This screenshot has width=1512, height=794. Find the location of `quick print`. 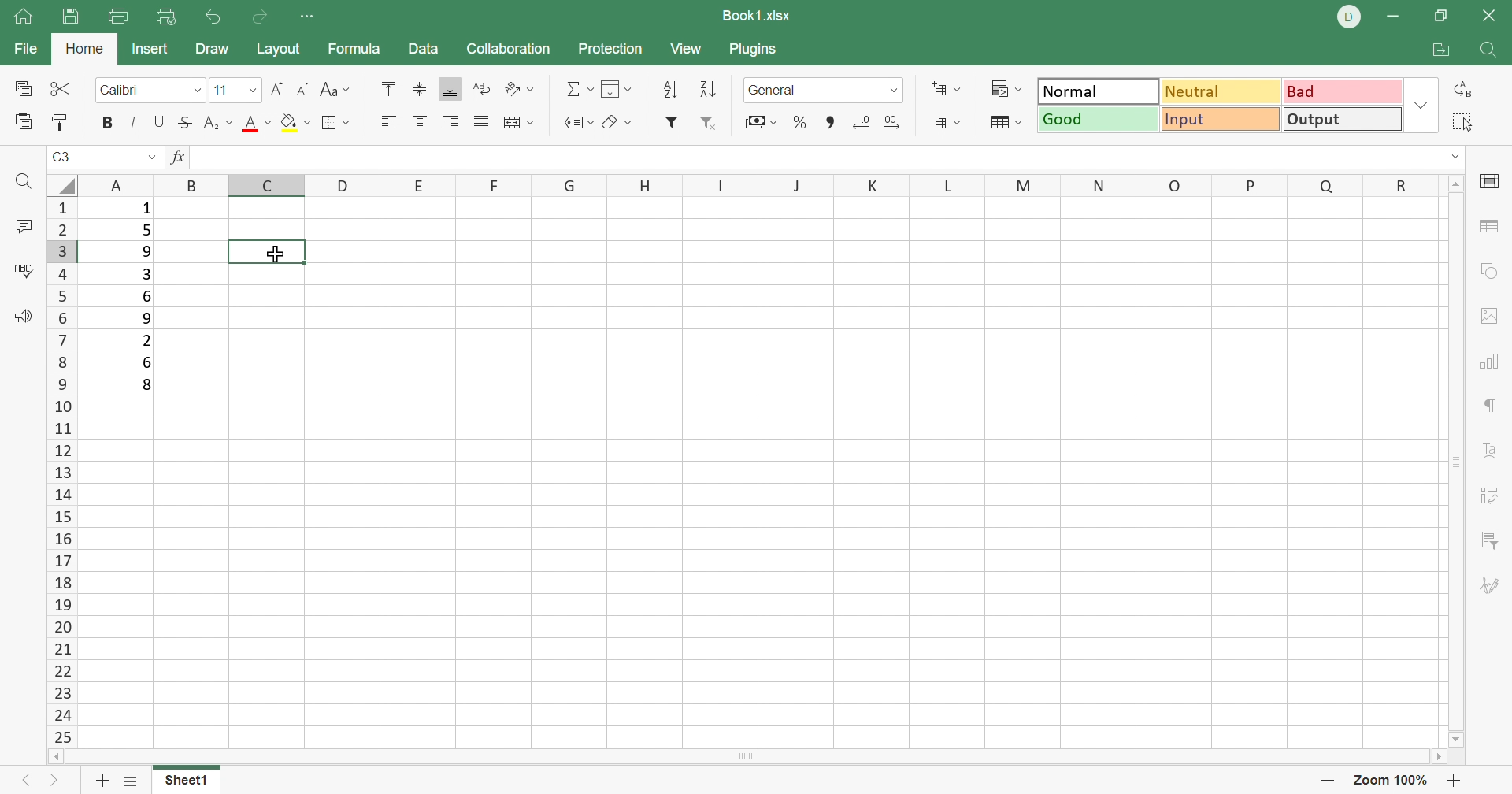

quick print is located at coordinates (163, 17).